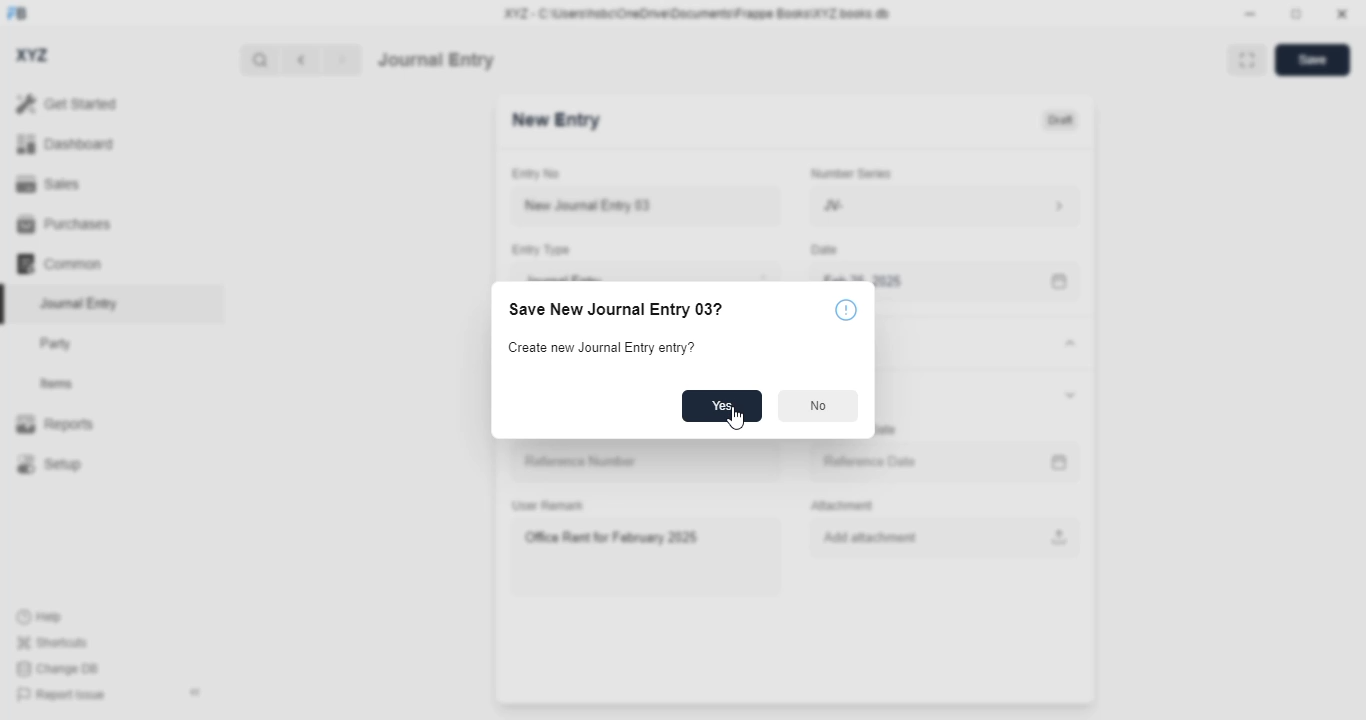 This screenshot has height=720, width=1366. What do you see at coordinates (1313, 60) in the screenshot?
I see `save` at bounding box center [1313, 60].